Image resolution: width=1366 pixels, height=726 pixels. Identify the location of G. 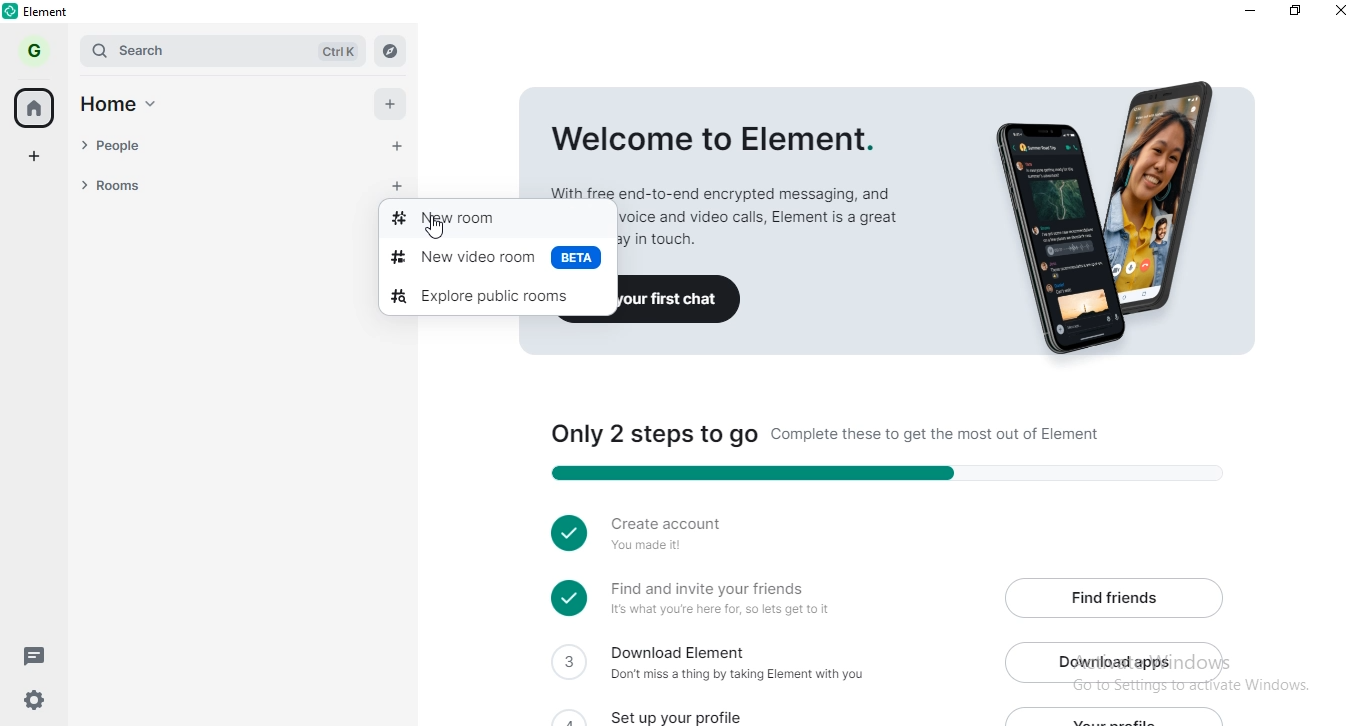
(37, 50).